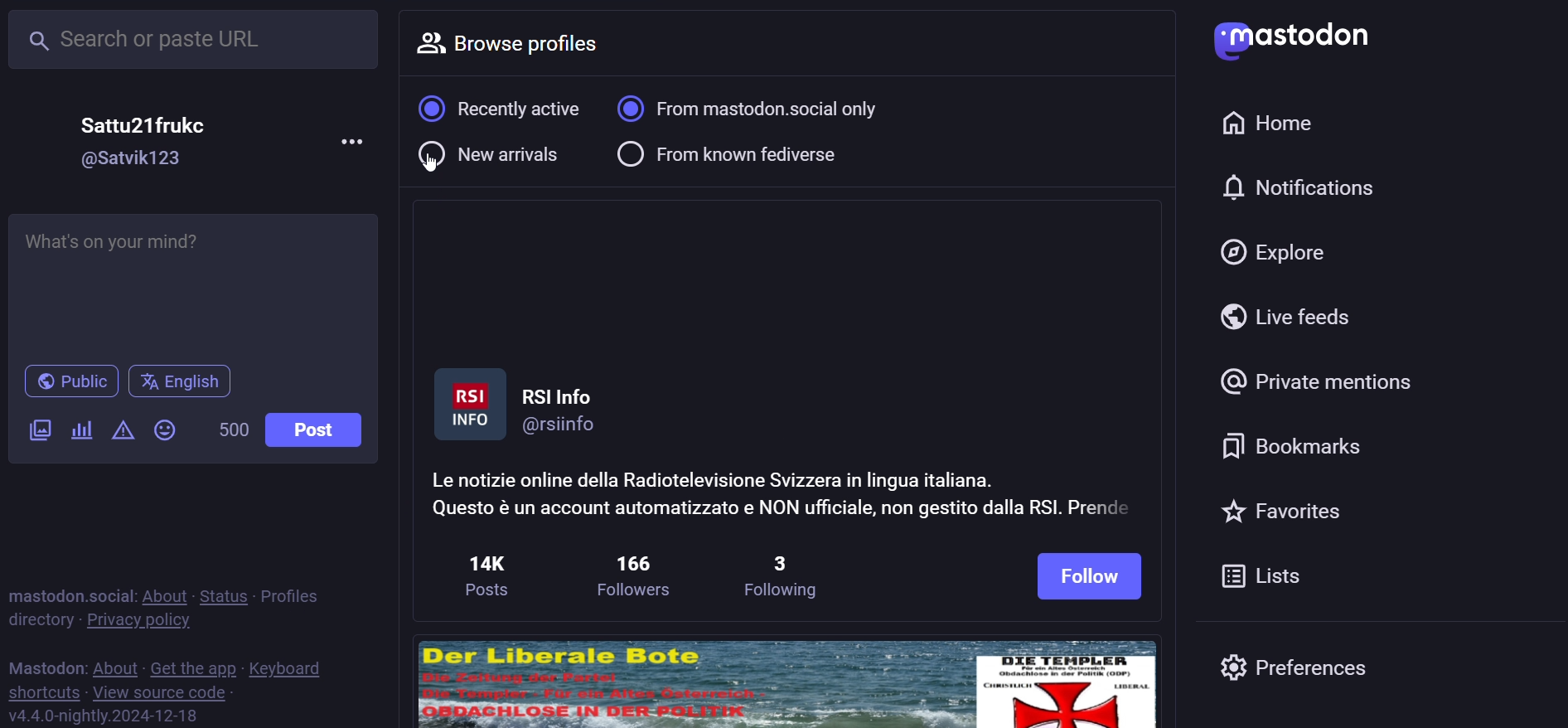  What do you see at coordinates (81, 431) in the screenshot?
I see `poll` at bounding box center [81, 431].